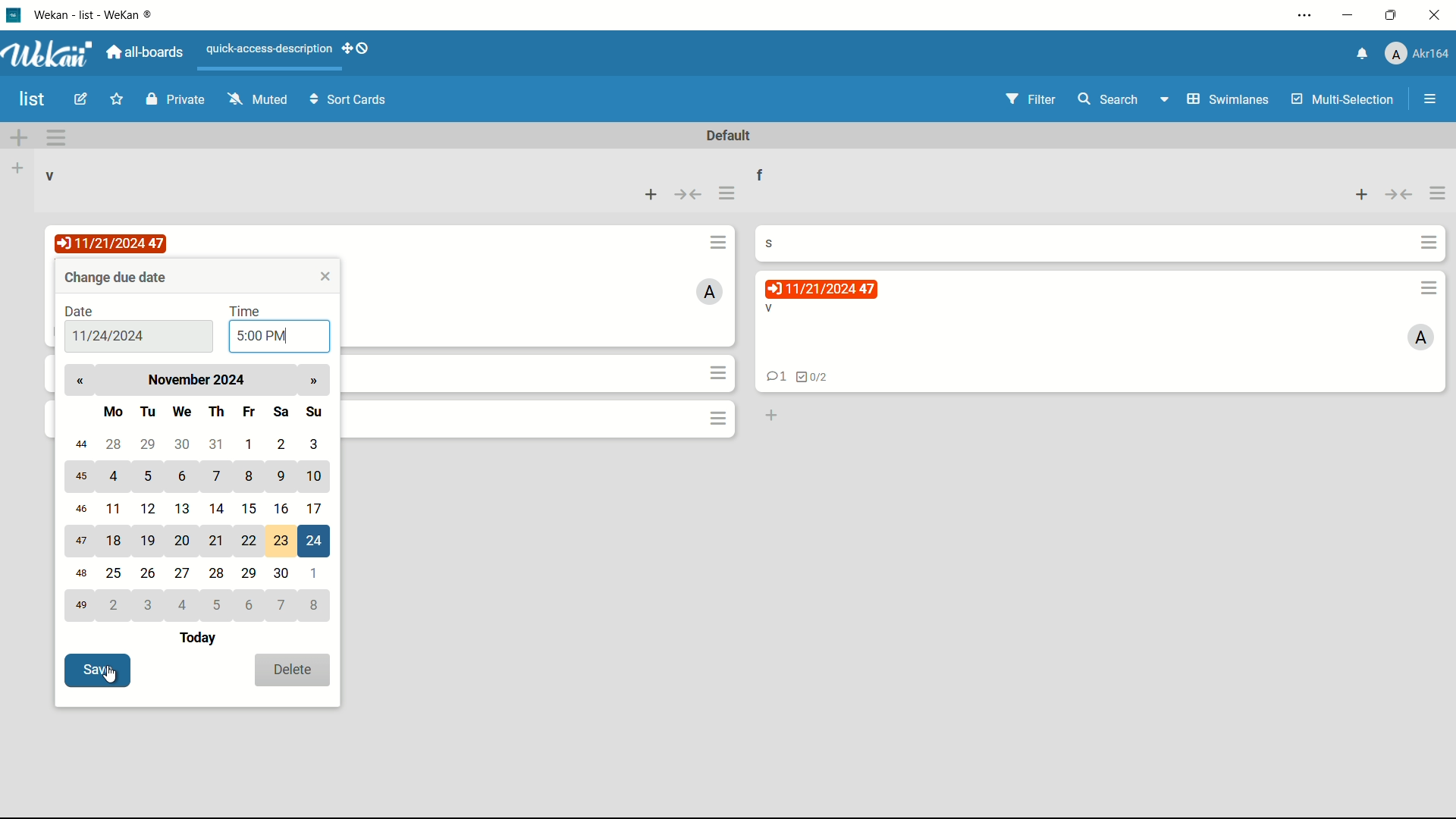 Image resolution: width=1456 pixels, height=819 pixels. Describe the element at coordinates (220, 444) in the screenshot. I see `31` at that location.